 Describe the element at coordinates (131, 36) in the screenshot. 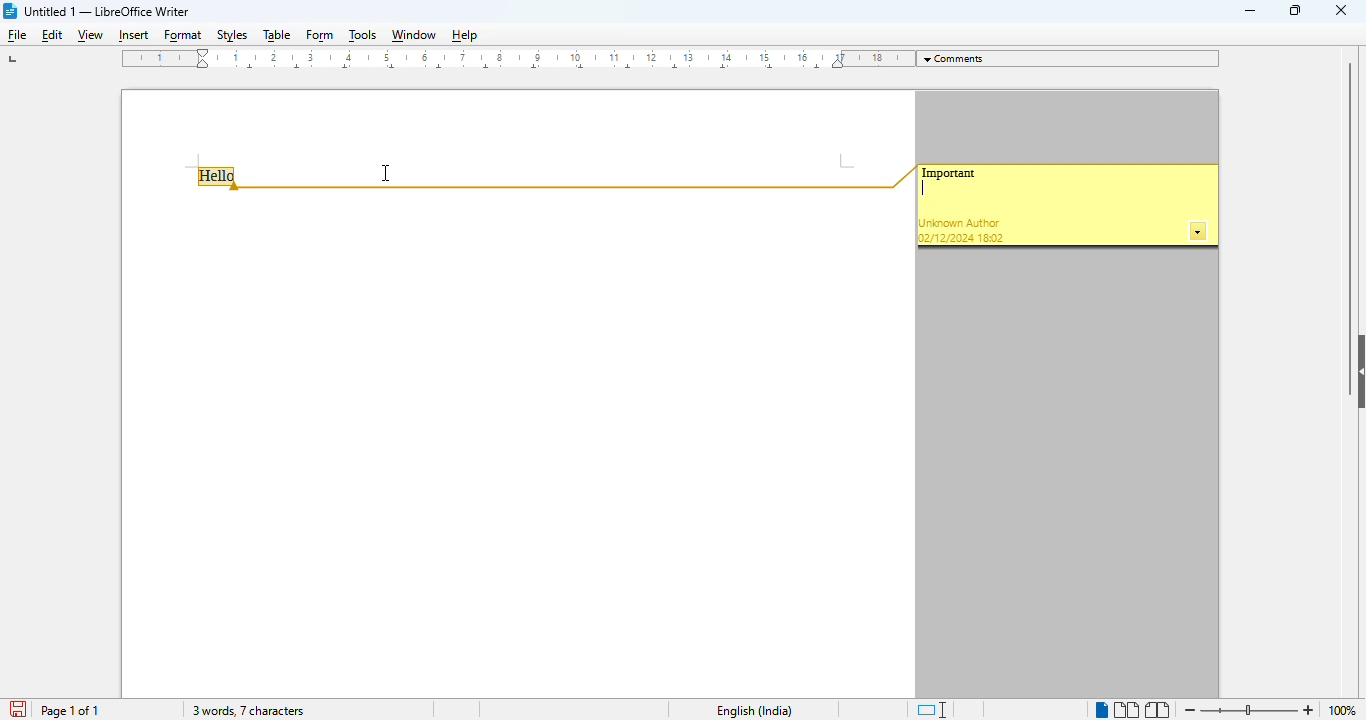

I see `insert` at that location.